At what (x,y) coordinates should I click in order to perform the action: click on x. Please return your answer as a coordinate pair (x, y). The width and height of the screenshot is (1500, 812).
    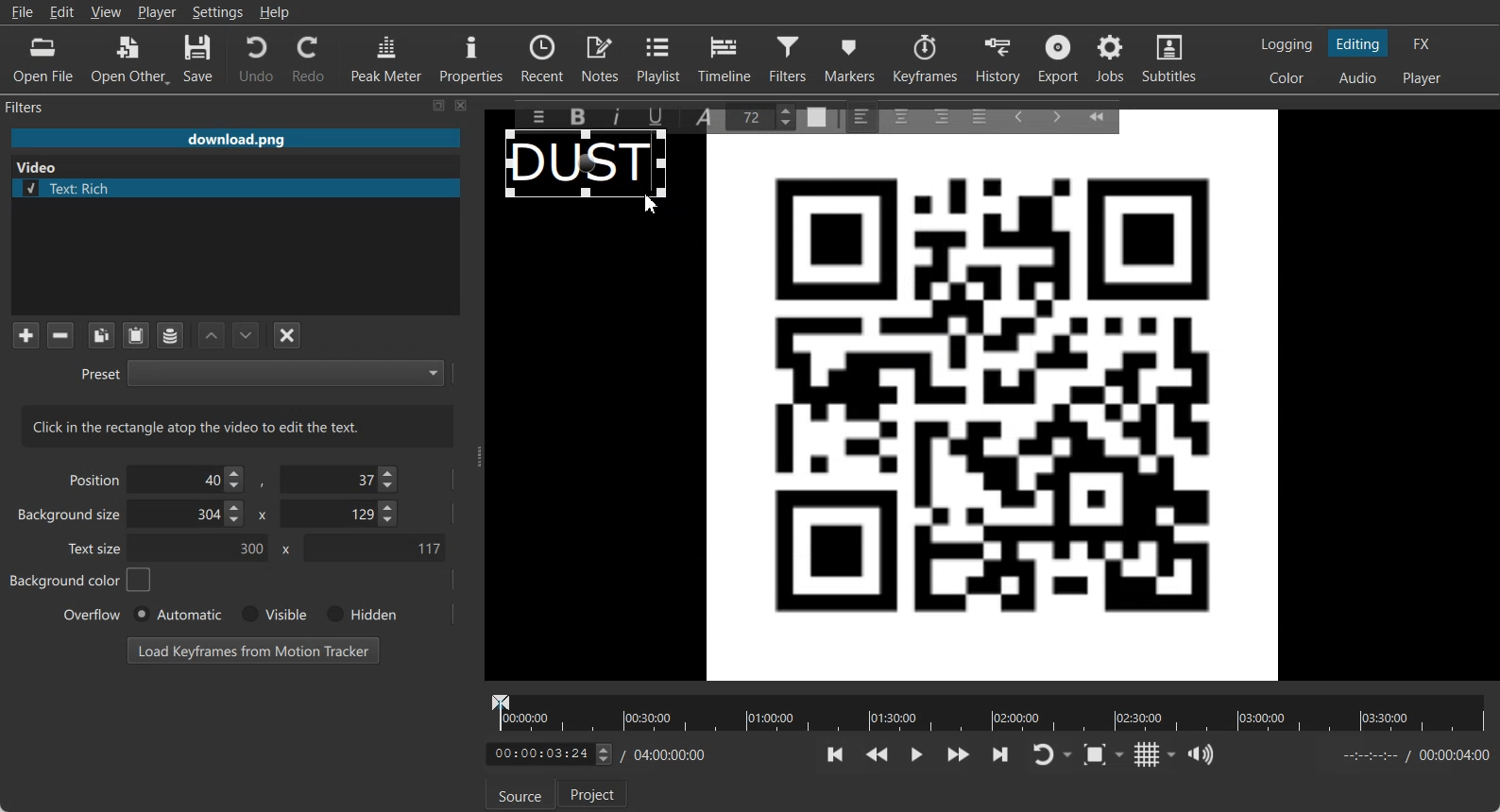
    Looking at the image, I should click on (260, 514).